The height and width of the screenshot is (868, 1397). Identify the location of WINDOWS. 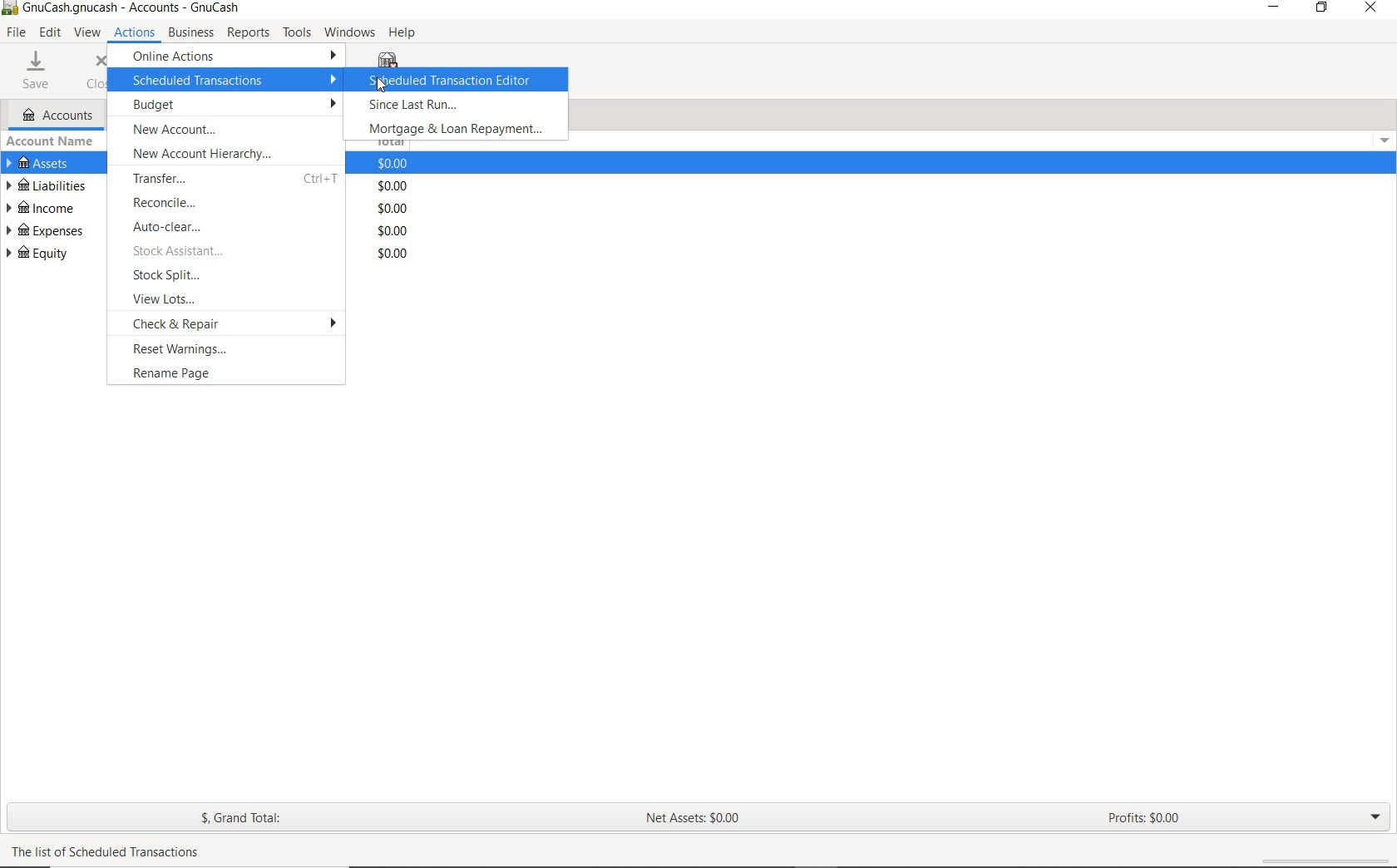
(348, 32).